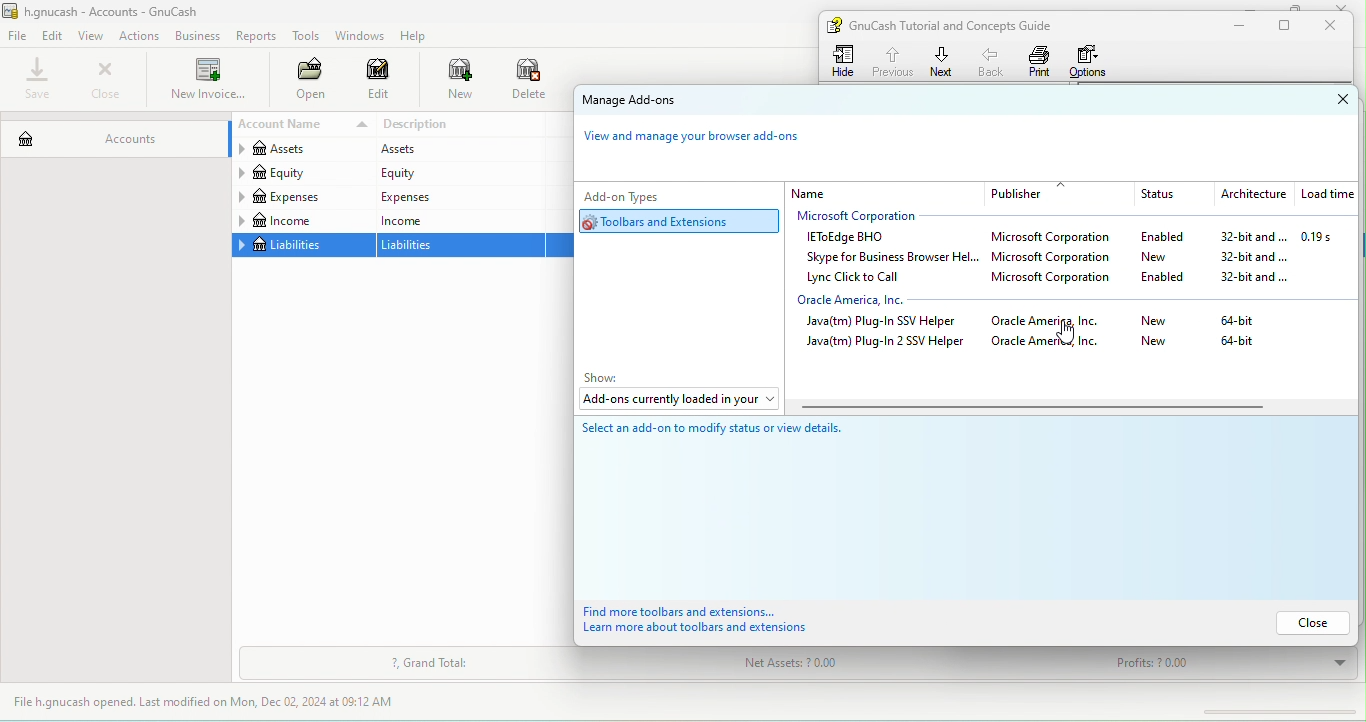 The image size is (1366, 722). Describe the element at coordinates (886, 344) in the screenshot. I see `java (tm)plug ln-2 ssv helper` at that location.